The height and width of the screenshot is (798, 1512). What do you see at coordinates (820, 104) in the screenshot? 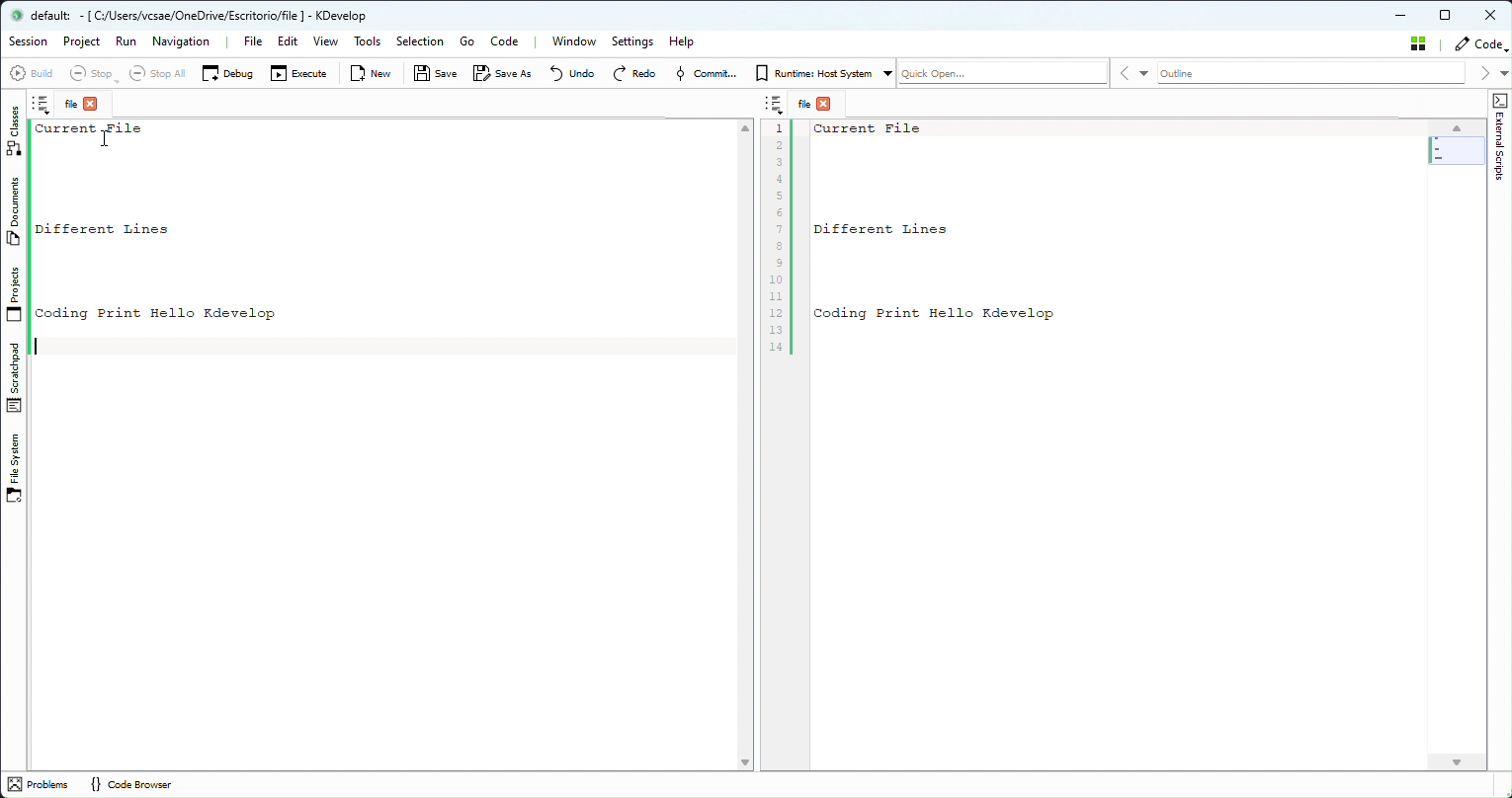
I see `File` at bounding box center [820, 104].